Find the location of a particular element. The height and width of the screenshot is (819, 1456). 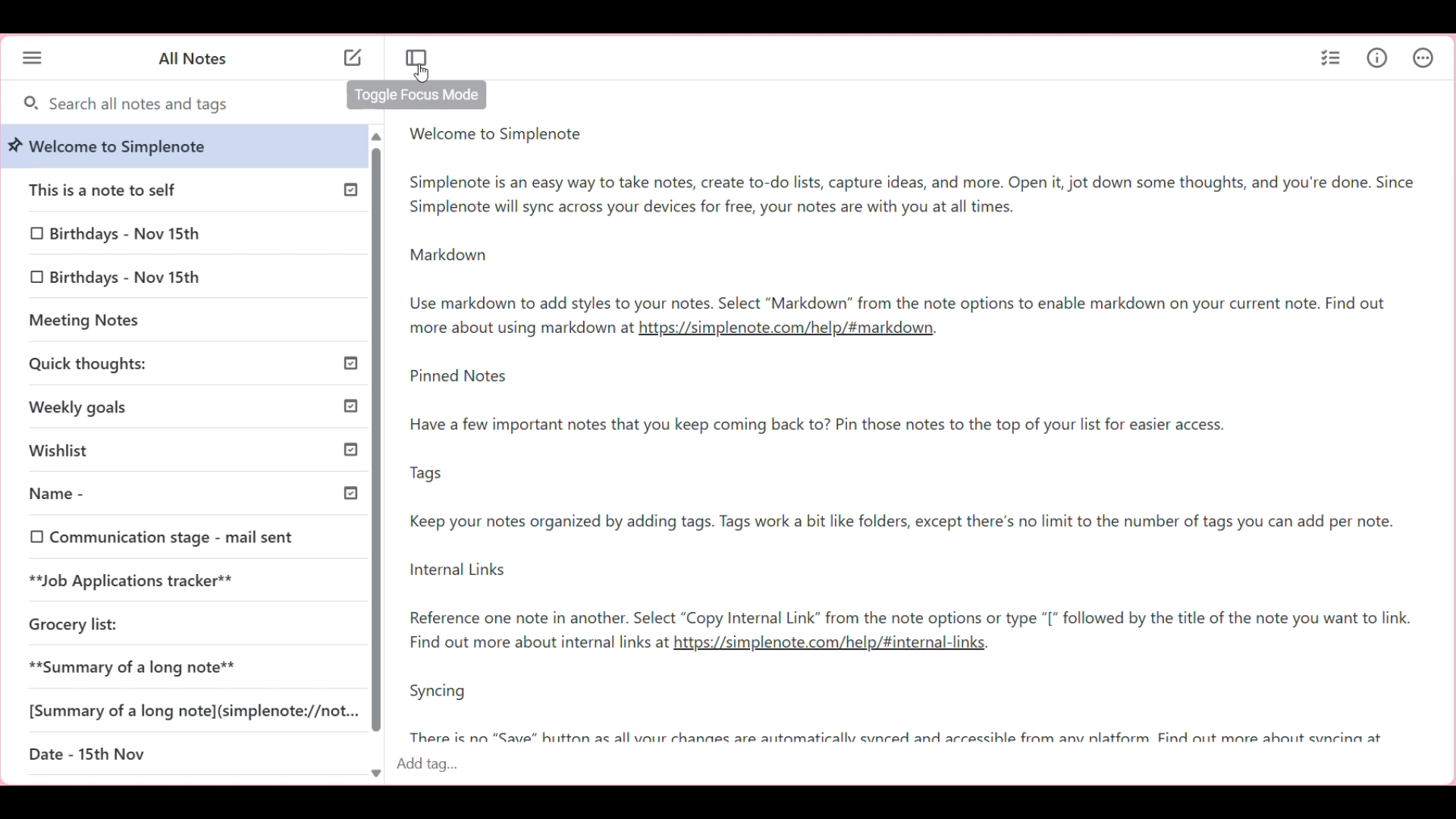

 is located at coordinates (350, 409).